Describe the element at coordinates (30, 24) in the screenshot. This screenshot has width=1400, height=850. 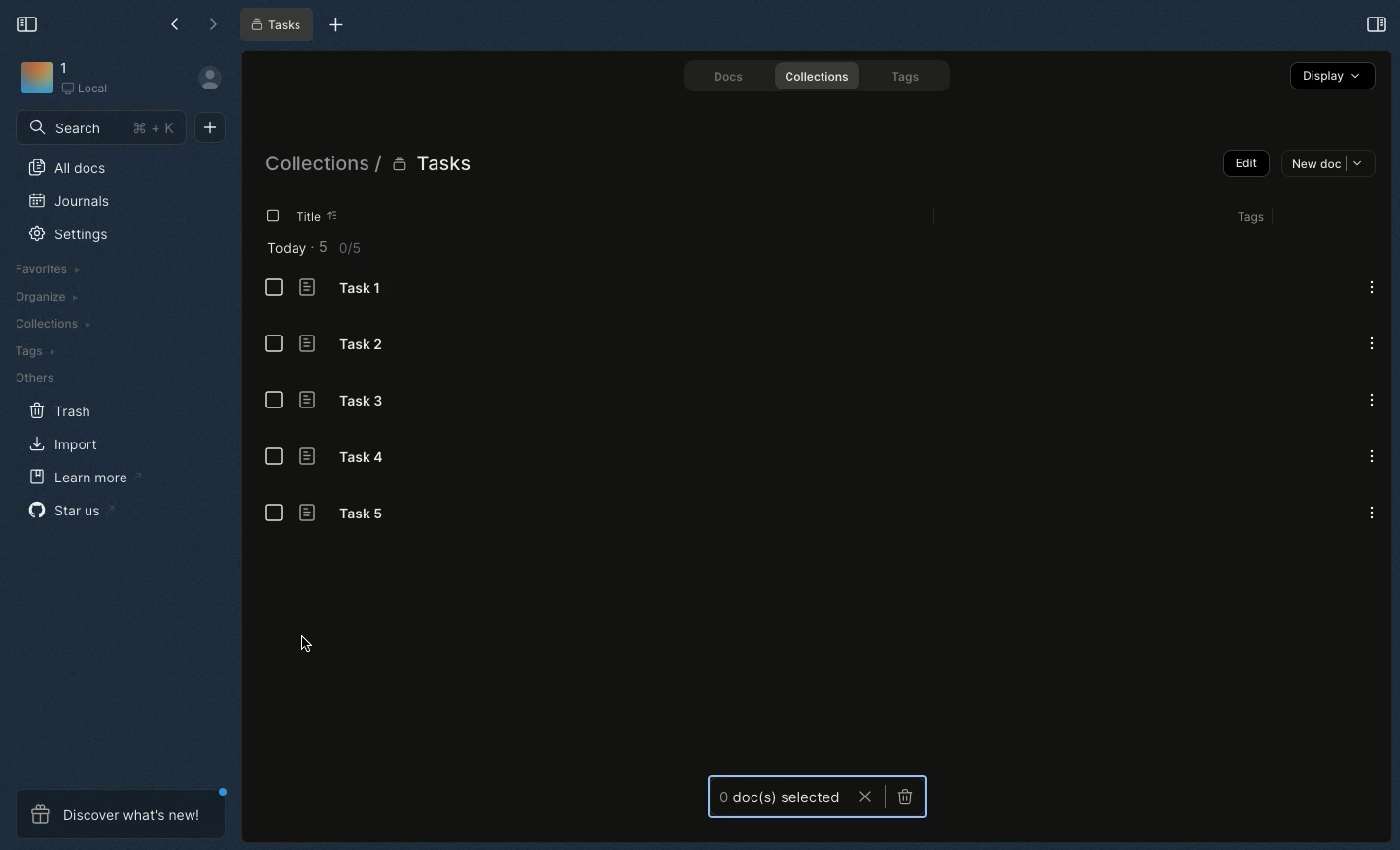
I see `Collapse sidebar` at that location.